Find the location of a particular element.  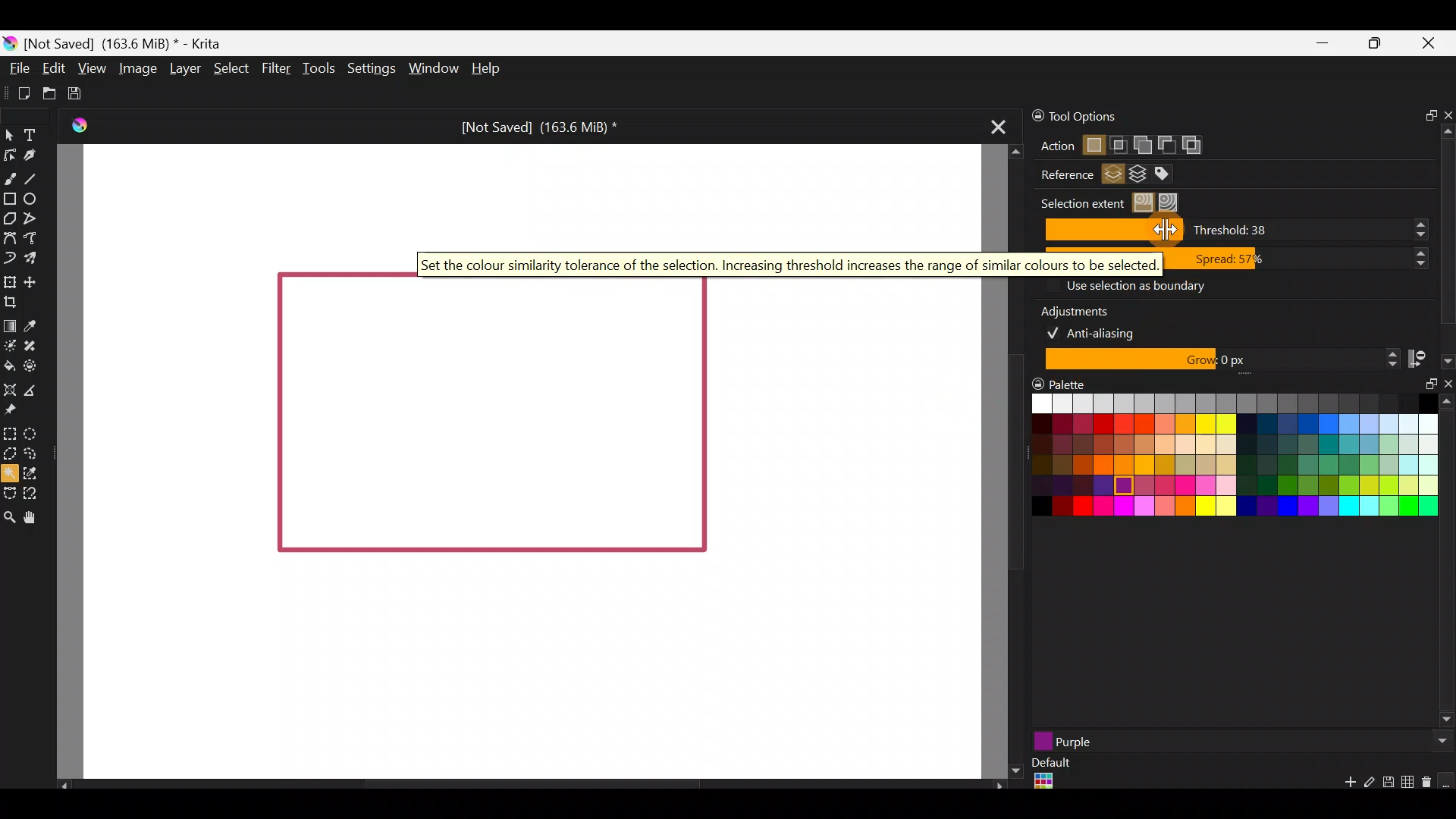

Help is located at coordinates (489, 70).